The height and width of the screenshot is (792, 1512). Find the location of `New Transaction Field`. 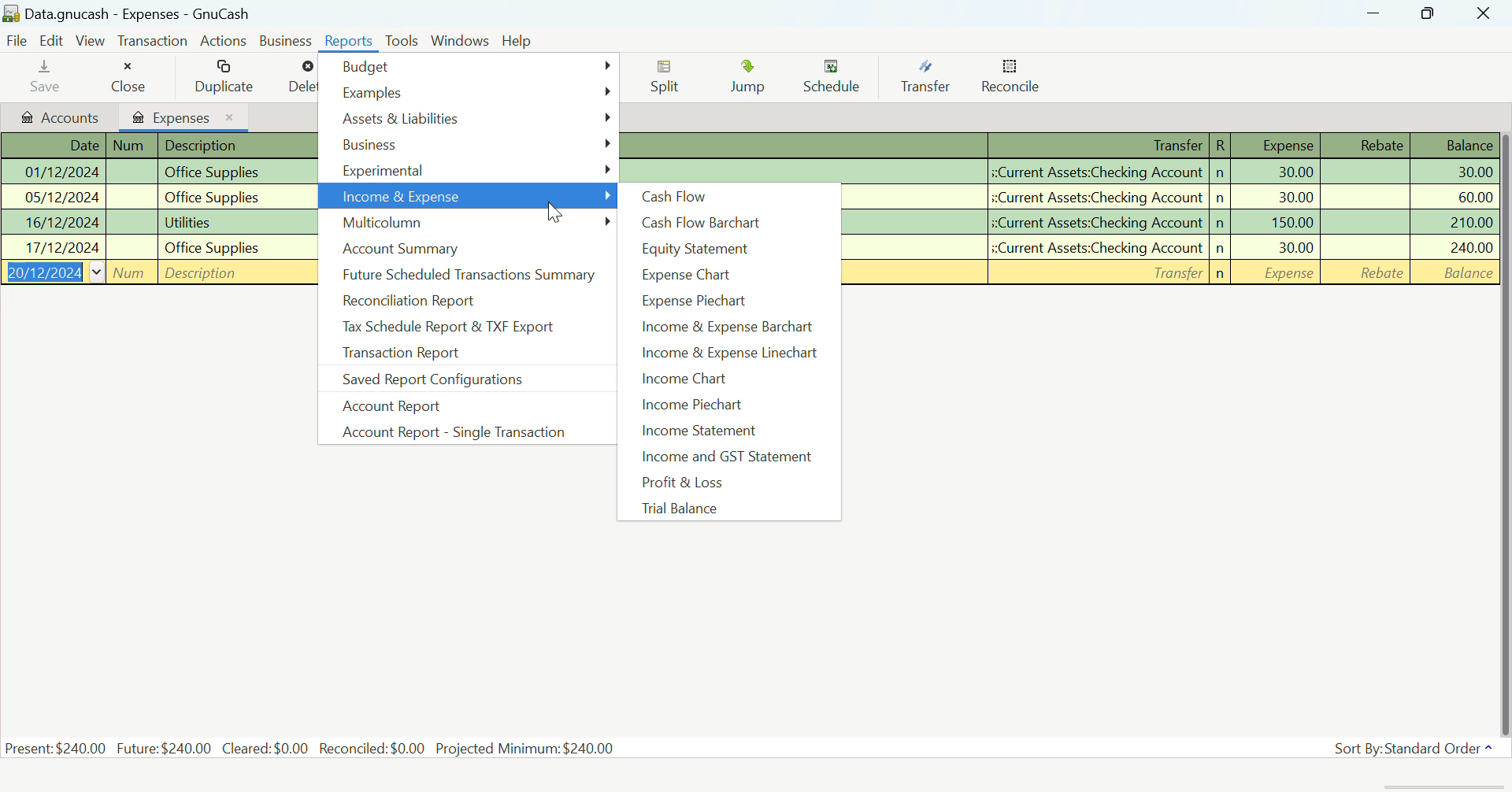

New Transaction Field is located at coordinates (156, 272).